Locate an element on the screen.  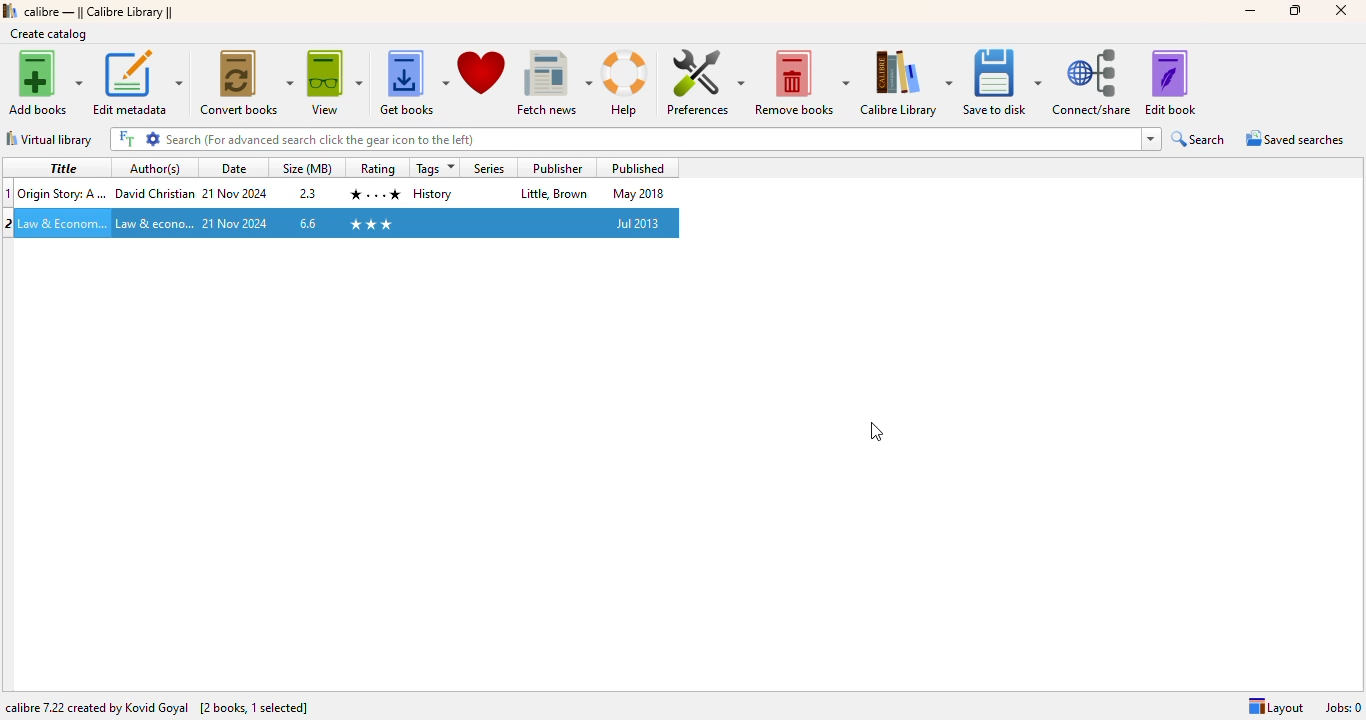
6.6 mbs is located at coordinates (307, 224).